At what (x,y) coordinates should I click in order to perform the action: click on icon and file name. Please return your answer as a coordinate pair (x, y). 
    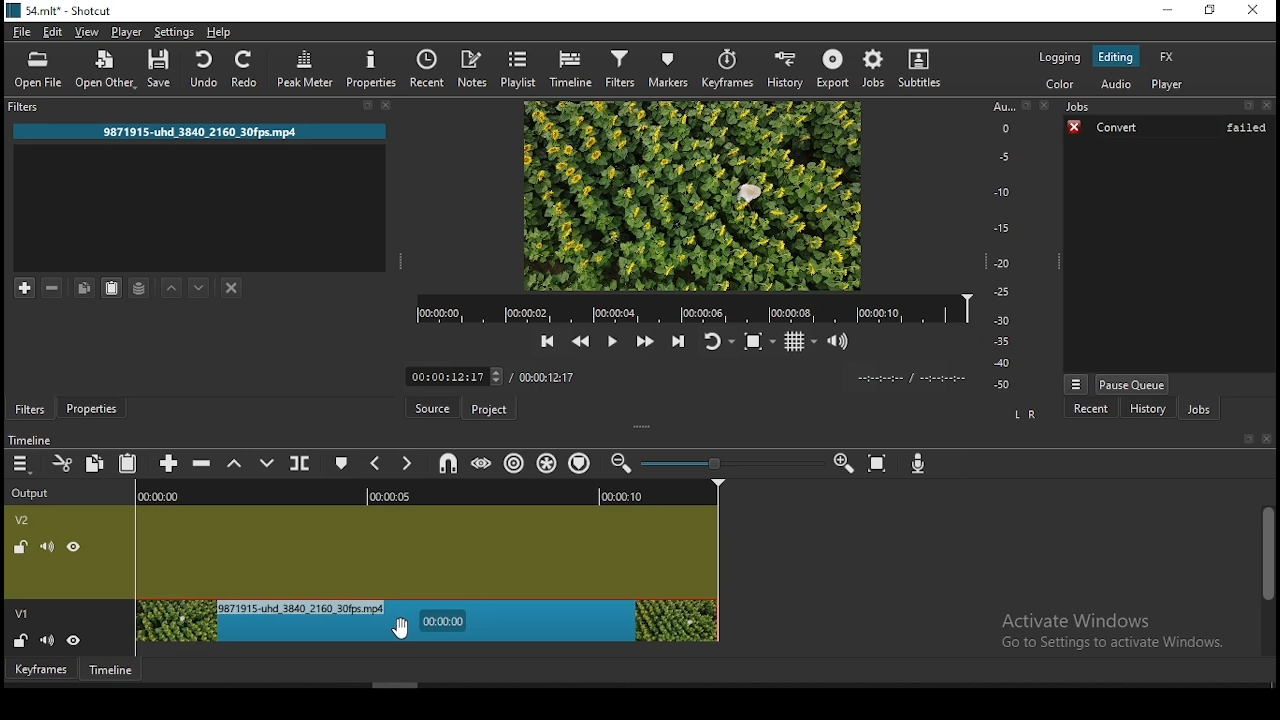
    Looking at the image, I should click on (63, 9).